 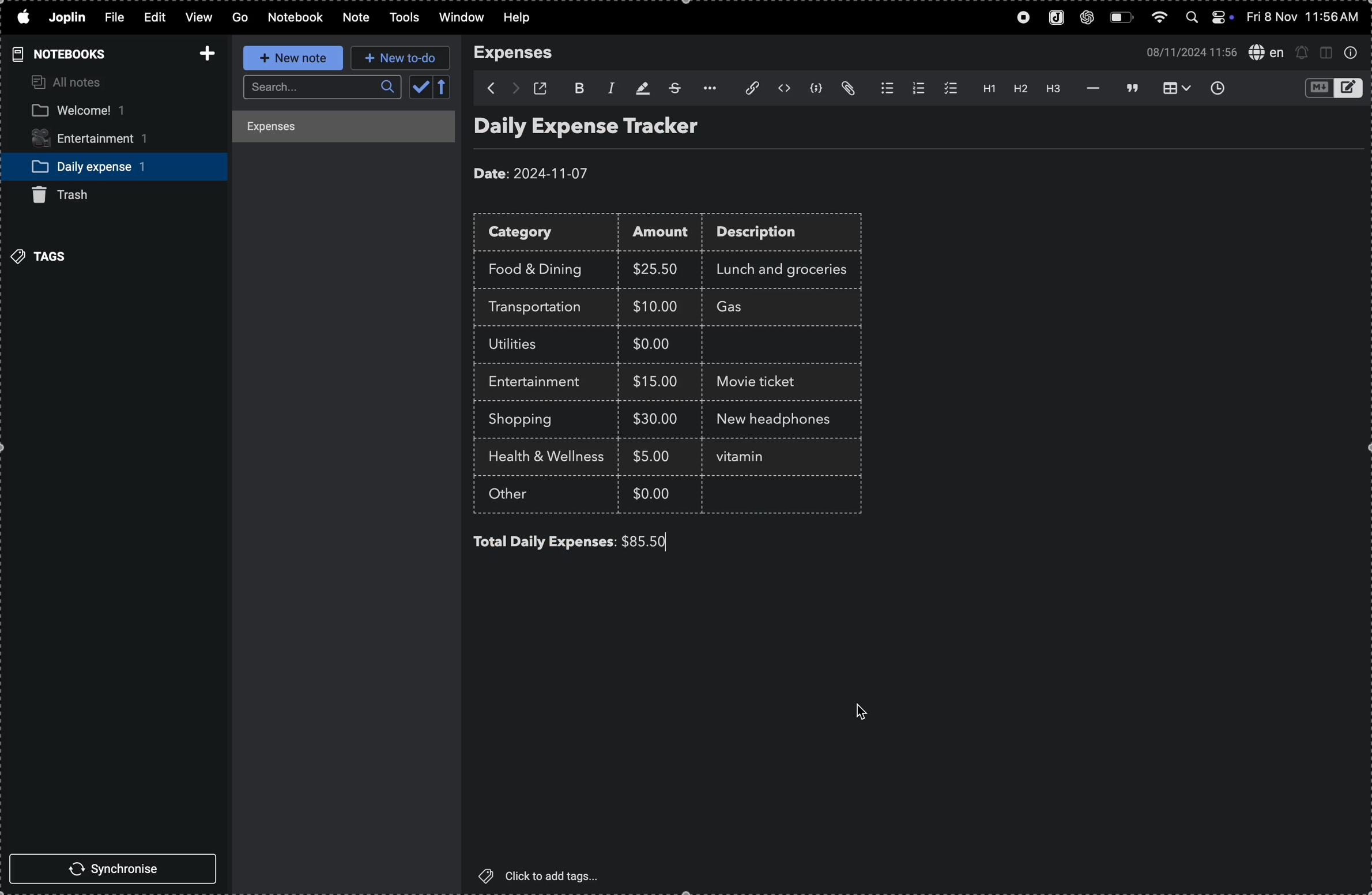 I want to click on daily expense notebook, so click(x=105, y=166).